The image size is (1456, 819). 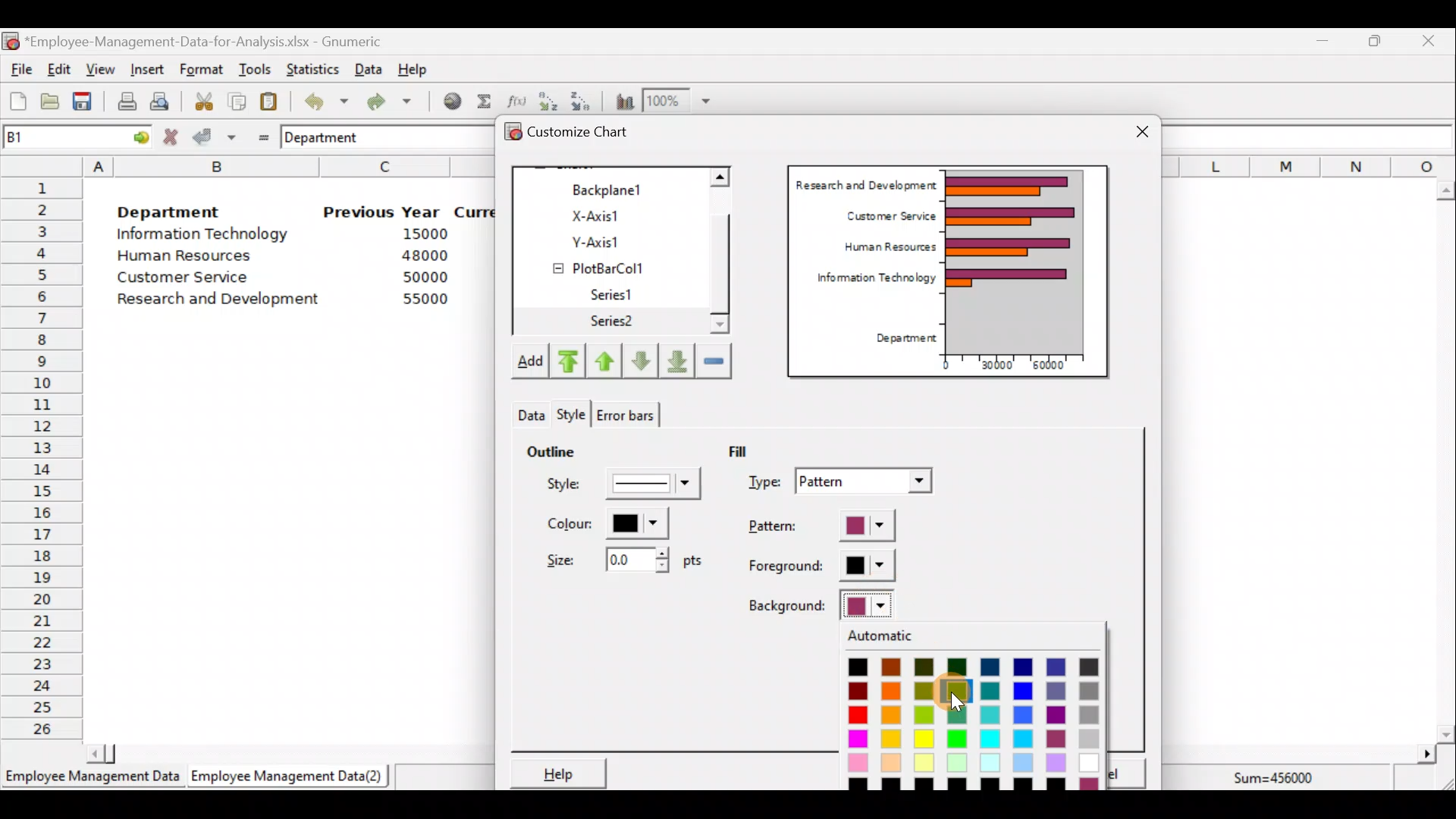 What do you see at coordinates (678, 359) in the screenshot?
I see `Move downward` at bounding box center [678, 359].